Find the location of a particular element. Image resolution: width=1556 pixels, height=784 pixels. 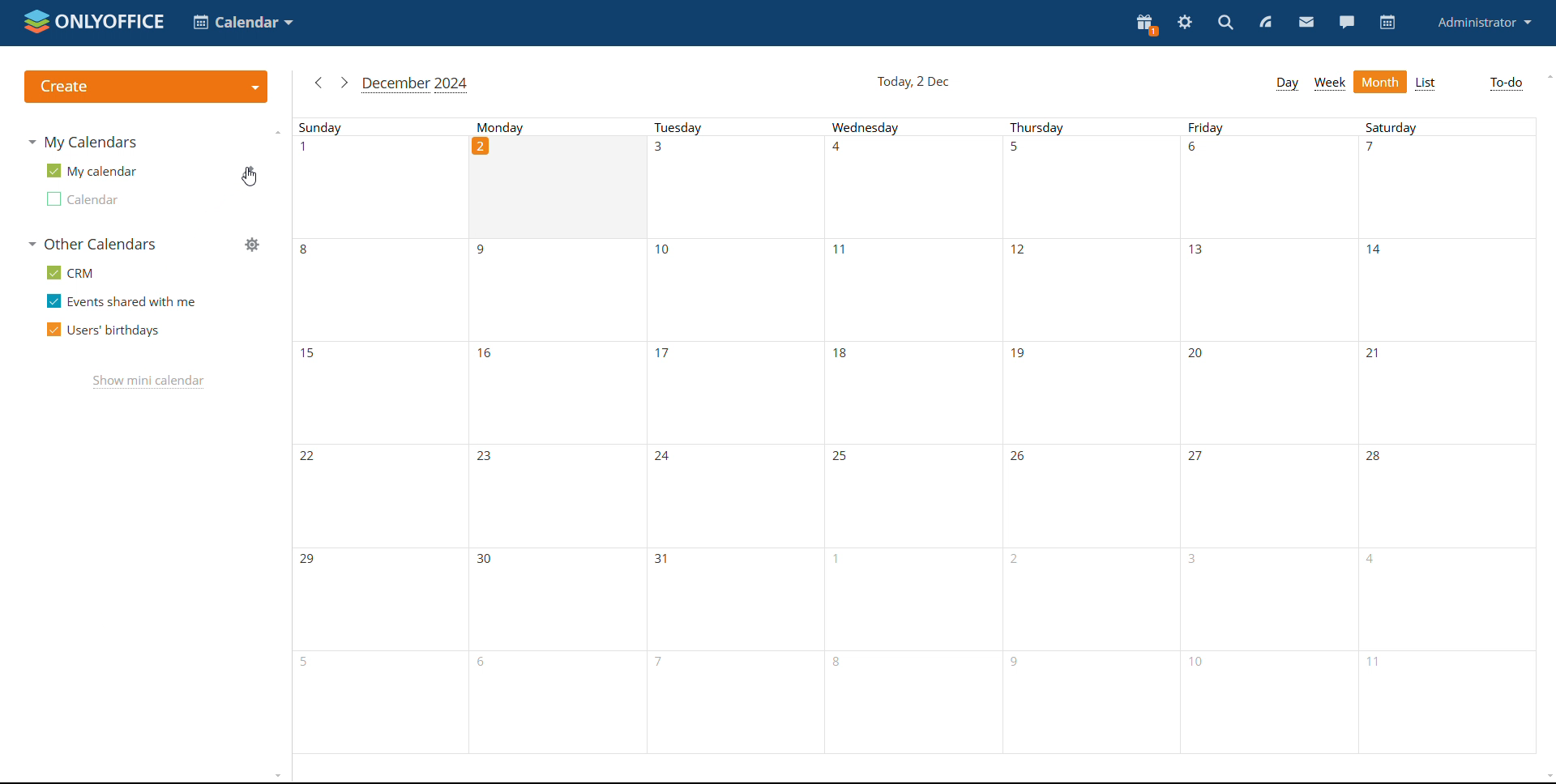

settings is located at coordinates (1188, 25).